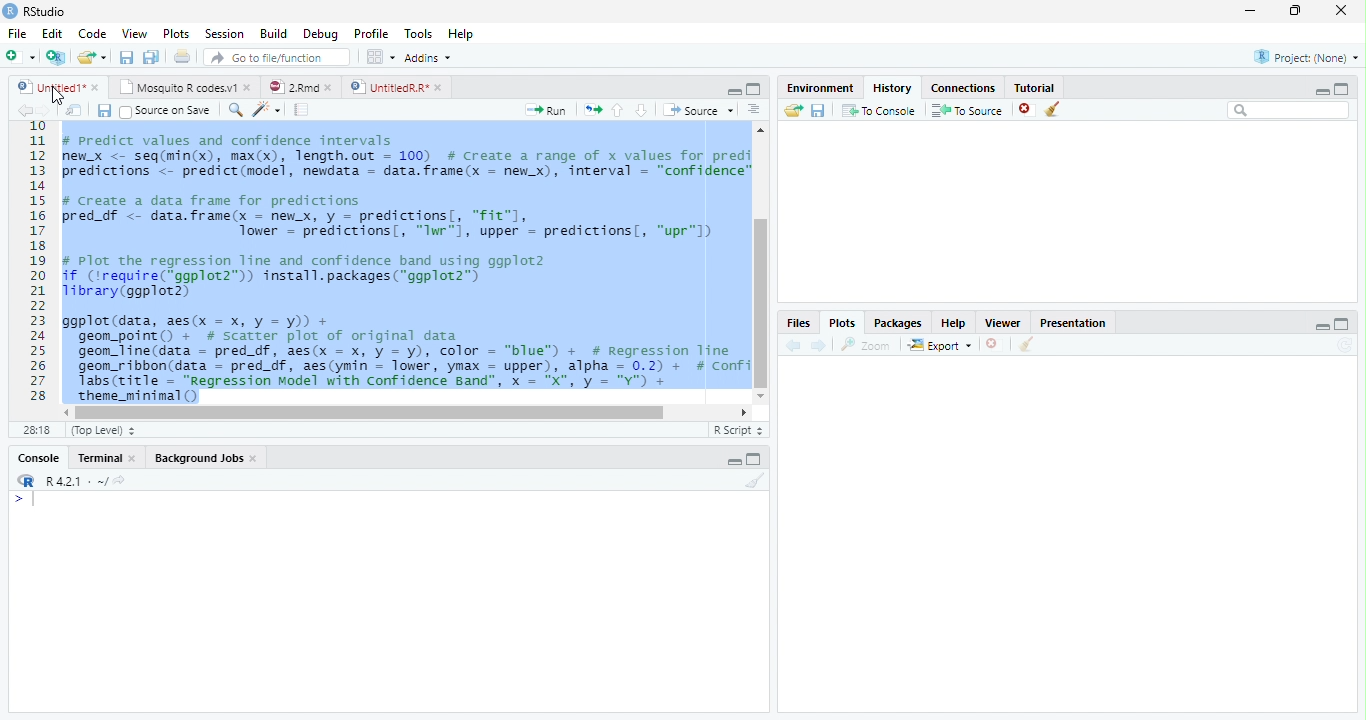 The width and height of the screenshot is (1366, 720). Describe the element at coordinates (421, 34) in the screenshot. I see `Tools` at that location.